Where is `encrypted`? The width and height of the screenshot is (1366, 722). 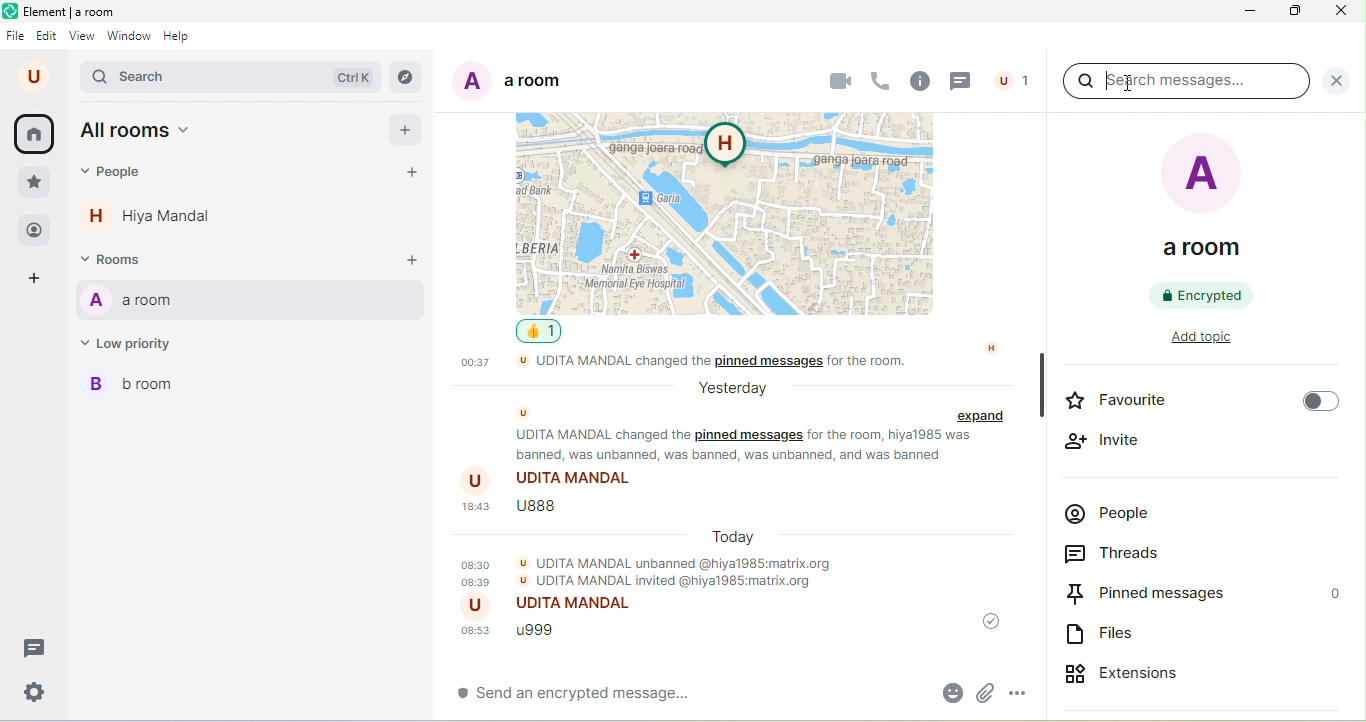 encrypted is located at coordinates (1204, 295).